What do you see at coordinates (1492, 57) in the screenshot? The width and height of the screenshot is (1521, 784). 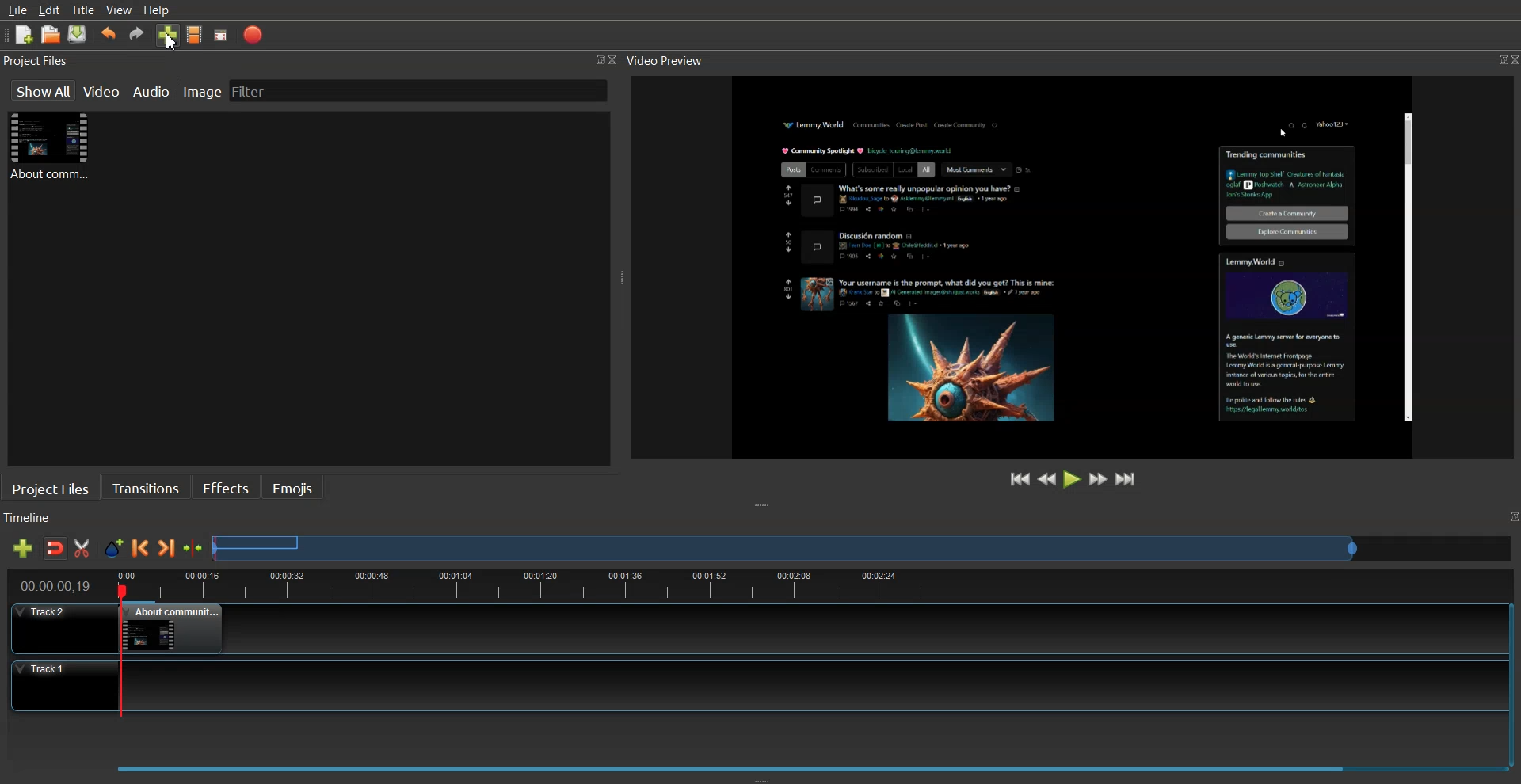 I see `Maximize` at bounding box center [1492, 57].